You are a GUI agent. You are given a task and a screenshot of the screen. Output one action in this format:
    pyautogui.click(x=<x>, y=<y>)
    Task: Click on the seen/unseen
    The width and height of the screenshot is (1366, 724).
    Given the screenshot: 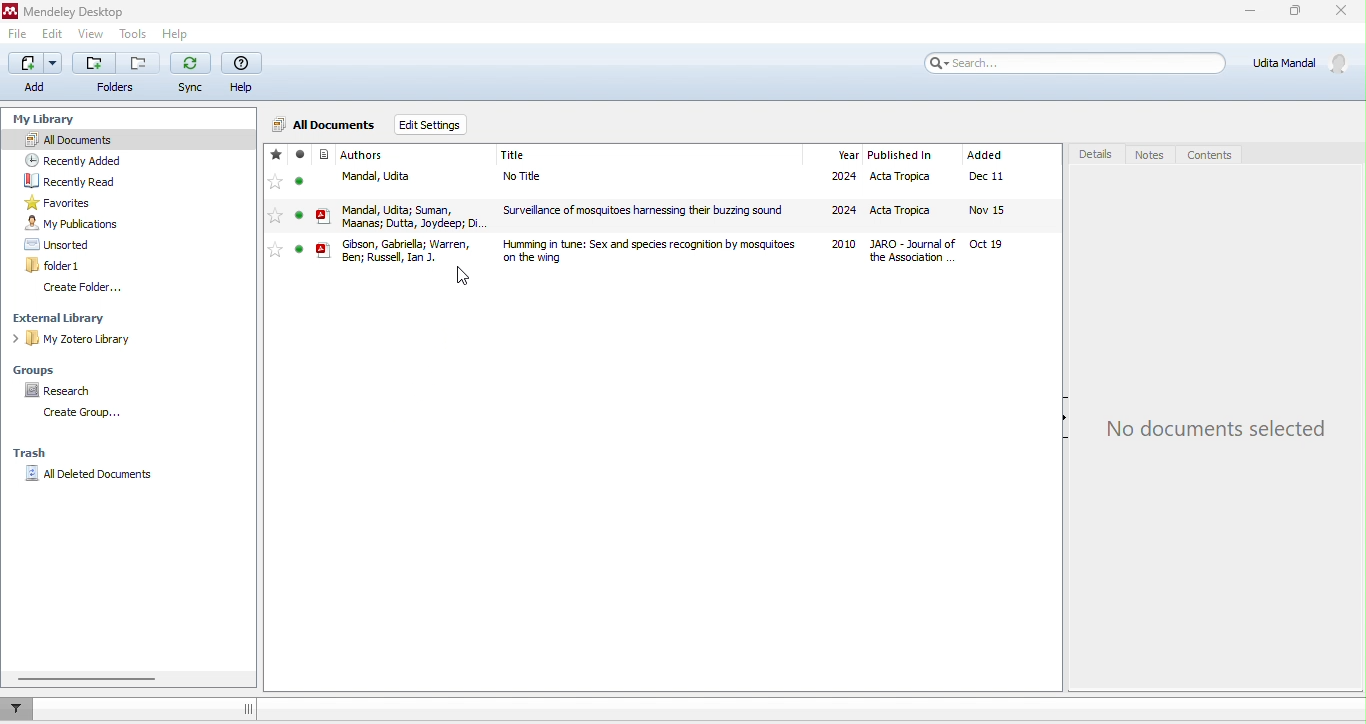 What is the action you would take?
    pyautogui.click(x=300, y=208)
    